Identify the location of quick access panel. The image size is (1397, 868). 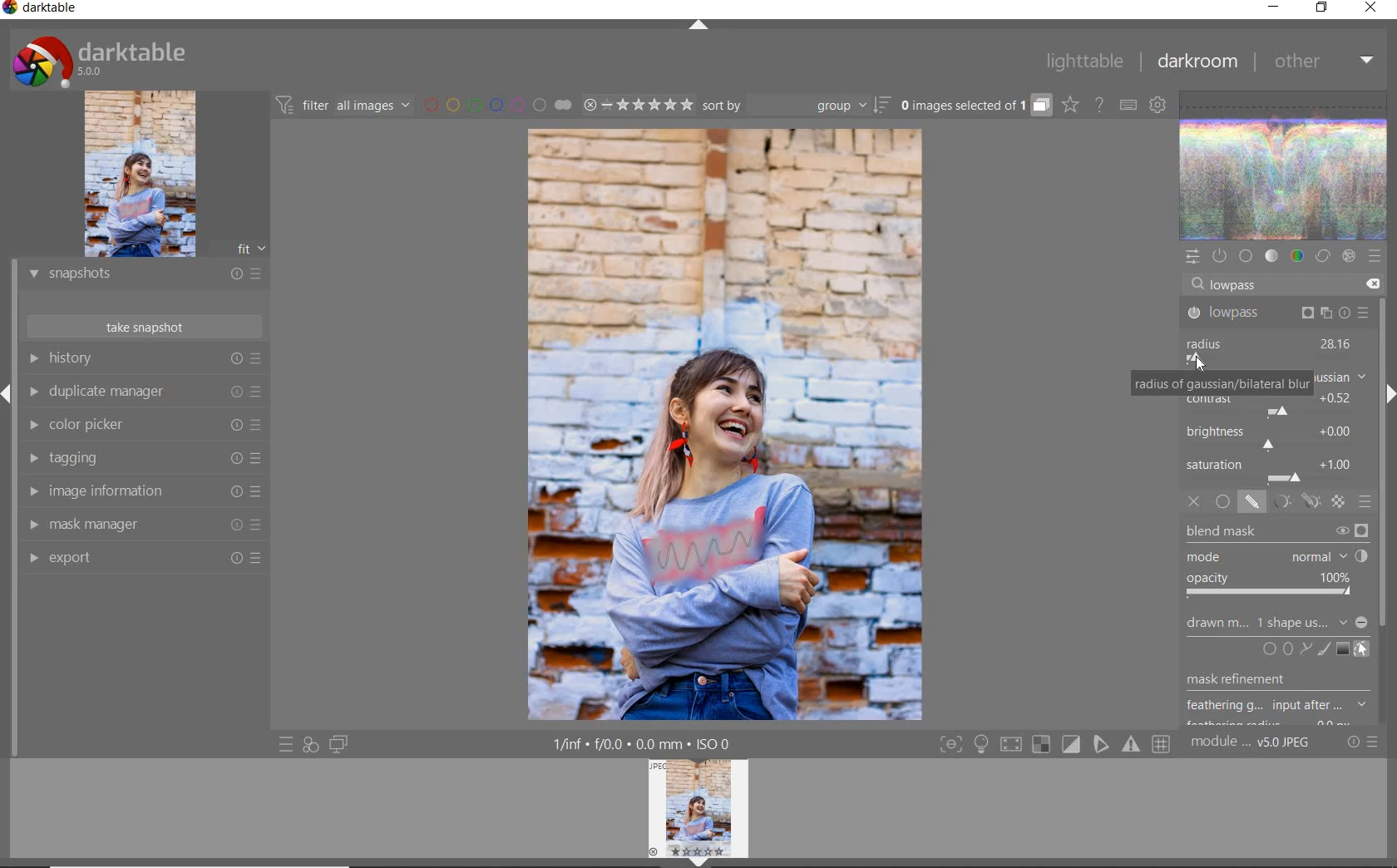
(1194, 254).